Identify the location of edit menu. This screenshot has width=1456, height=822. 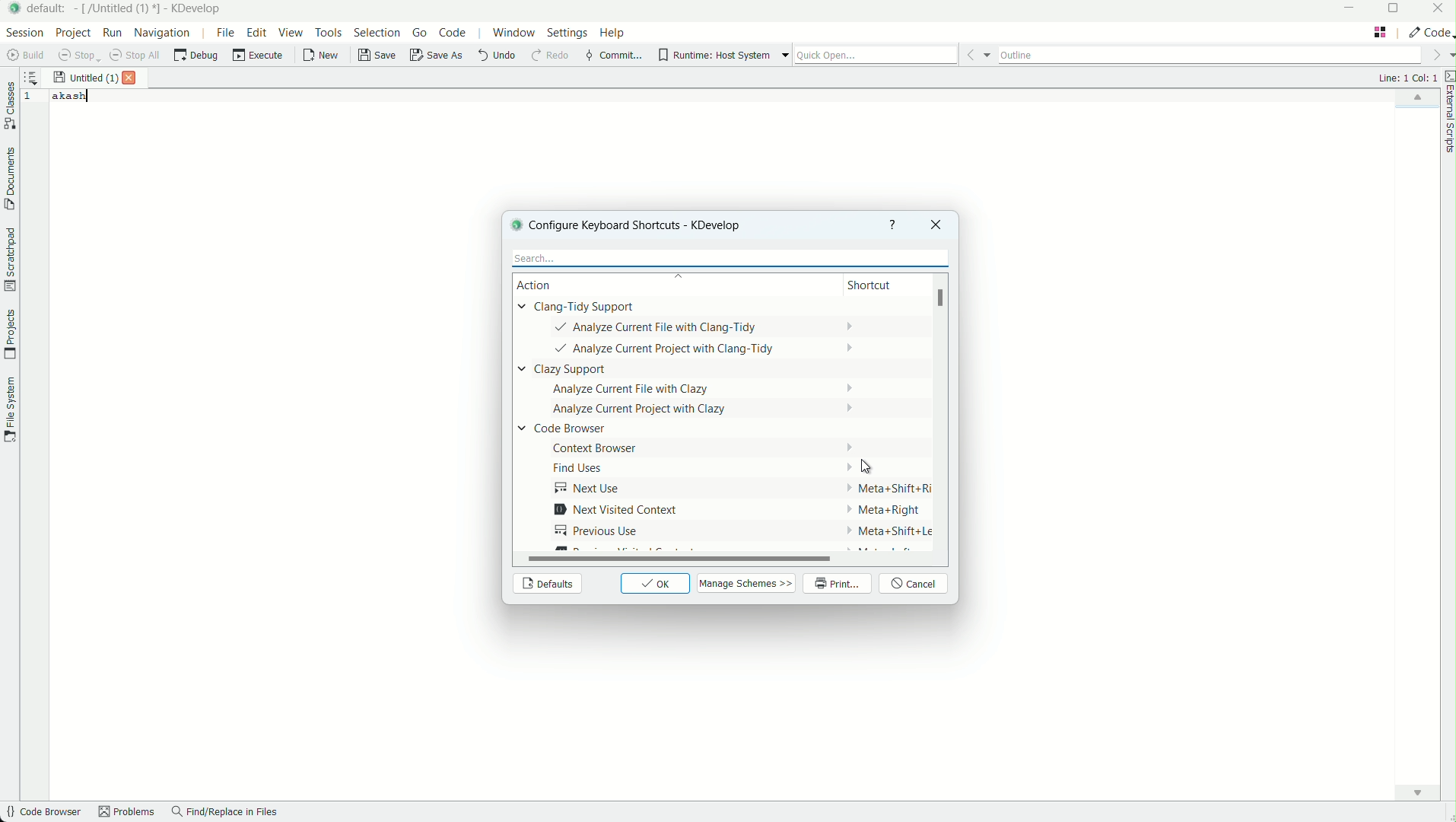
(257, 32).